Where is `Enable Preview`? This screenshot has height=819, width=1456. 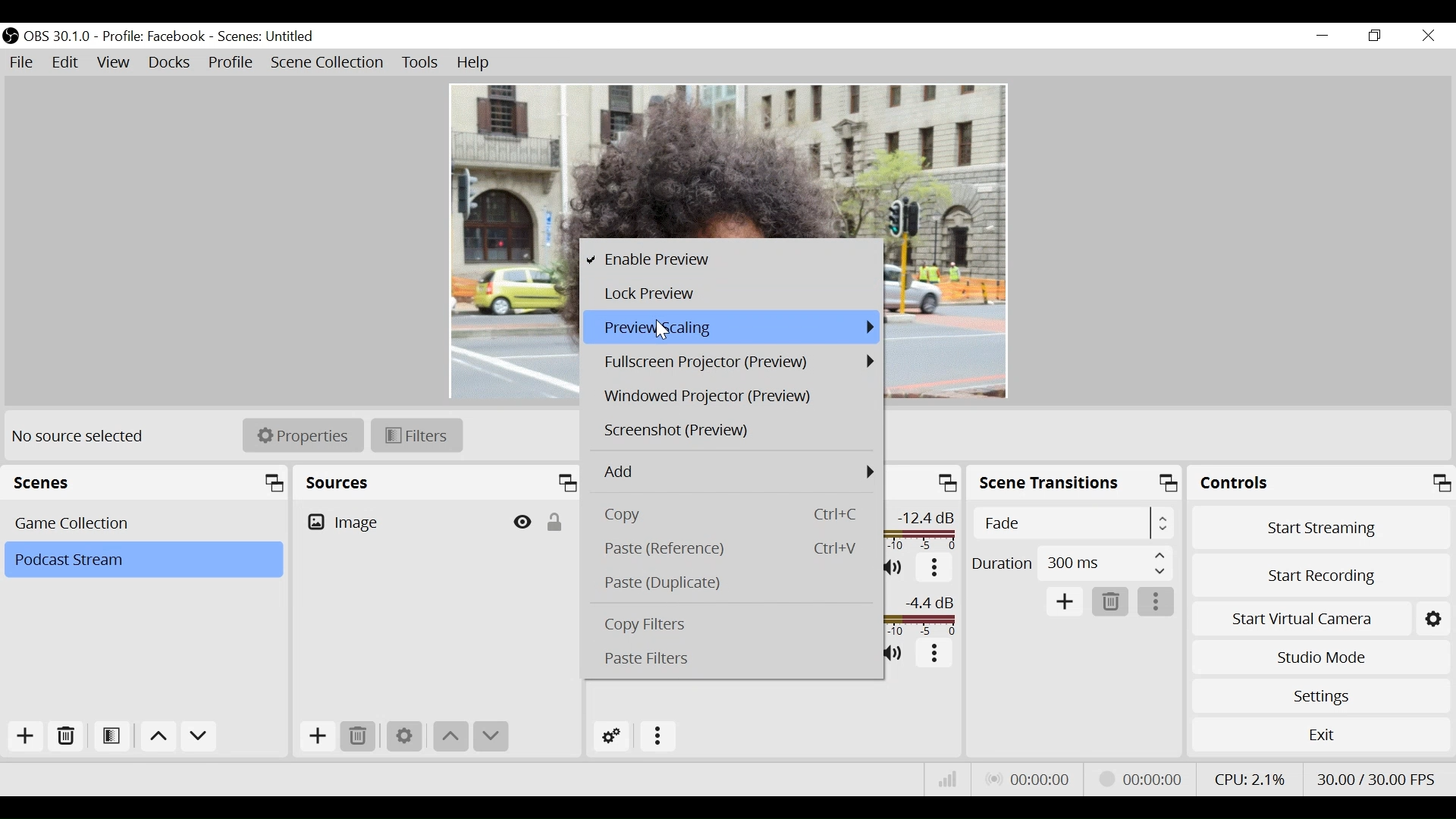
Enable Preview is located at coordinates (726, 259).